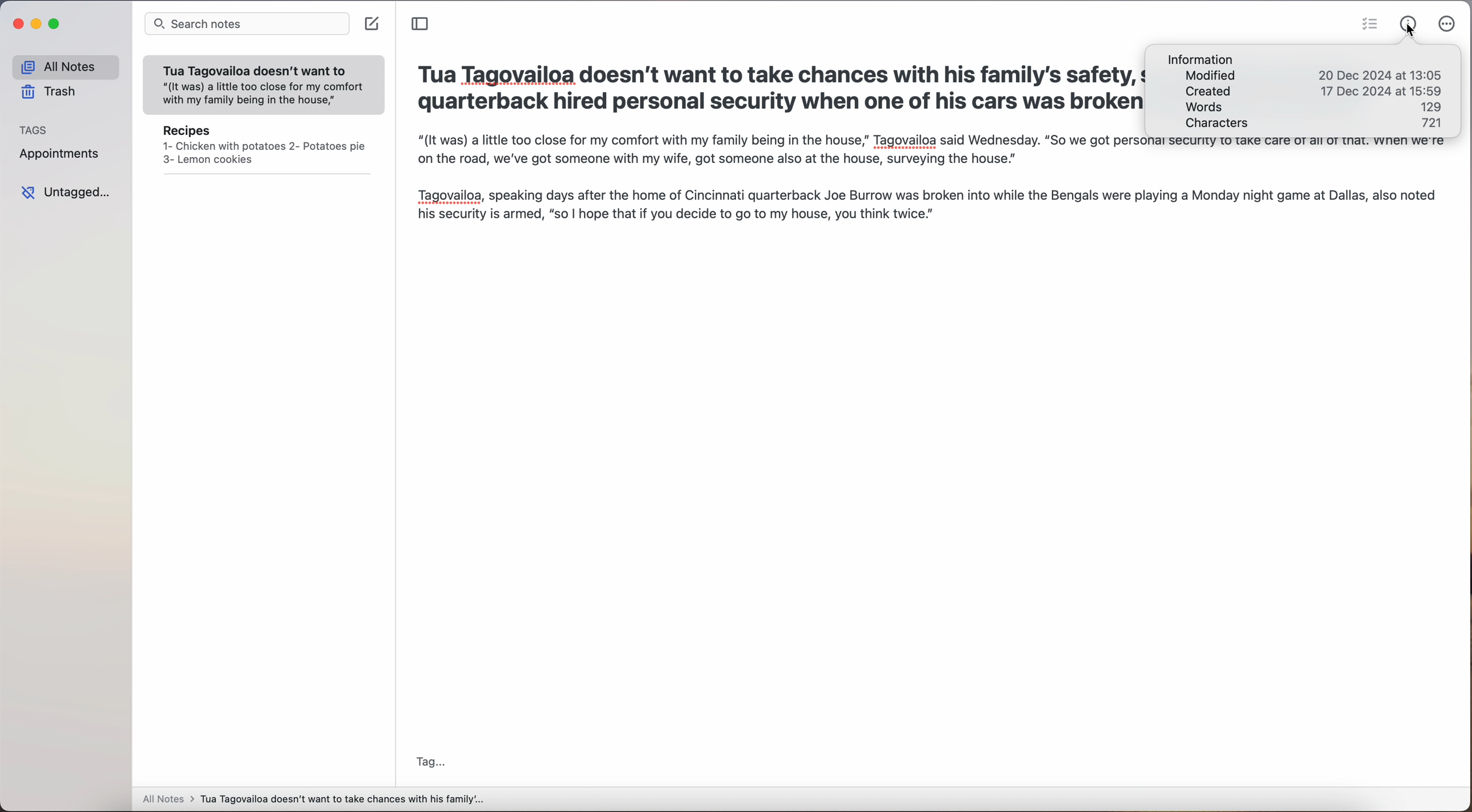 The image size is (1472, 812). I want to click on all notes > Tua Tagovailoa doesn't want to take chances with his family'..., so click(314, 800).